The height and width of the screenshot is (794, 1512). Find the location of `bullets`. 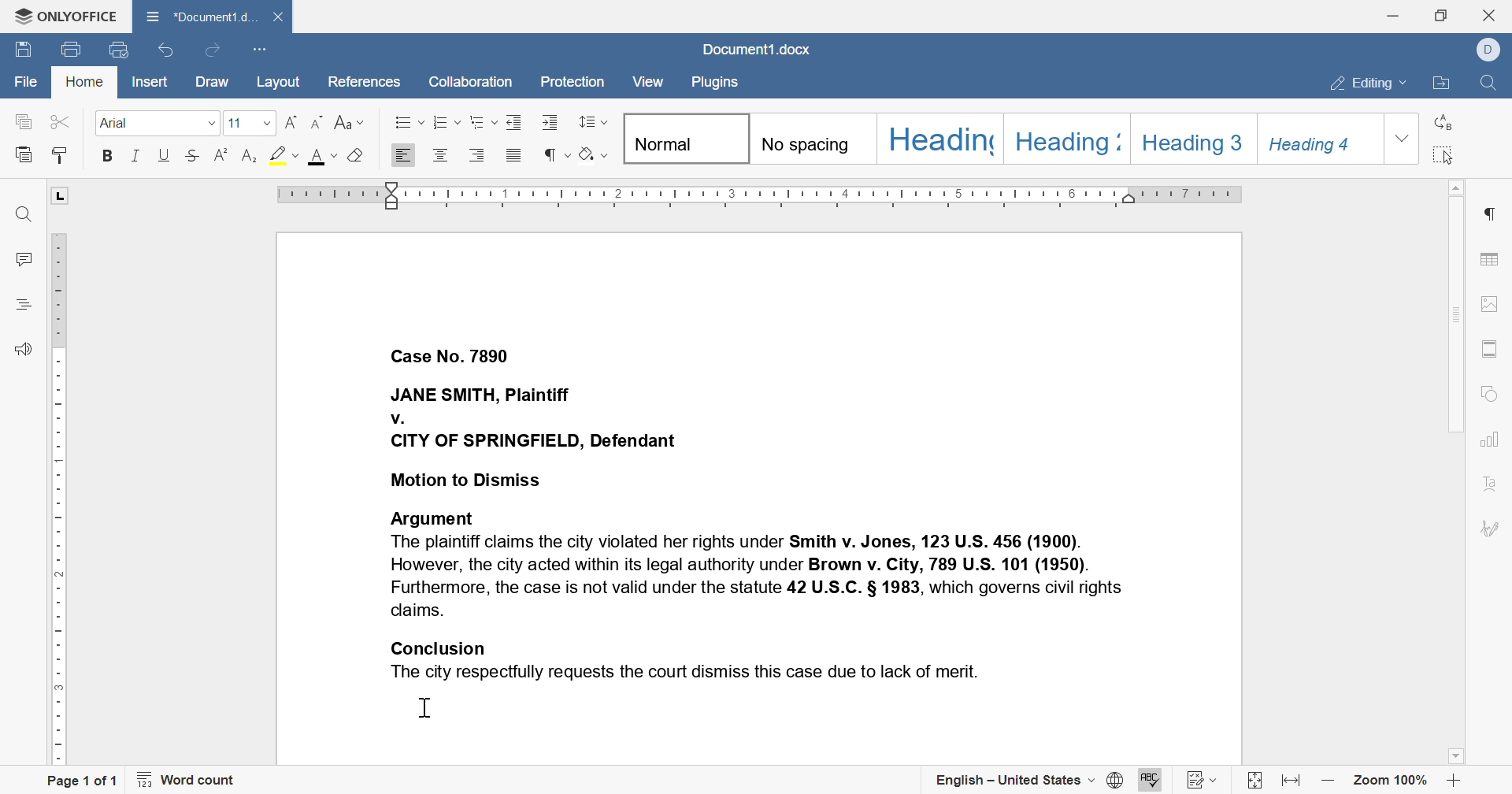

bullets is located at coordinates (405, 121).